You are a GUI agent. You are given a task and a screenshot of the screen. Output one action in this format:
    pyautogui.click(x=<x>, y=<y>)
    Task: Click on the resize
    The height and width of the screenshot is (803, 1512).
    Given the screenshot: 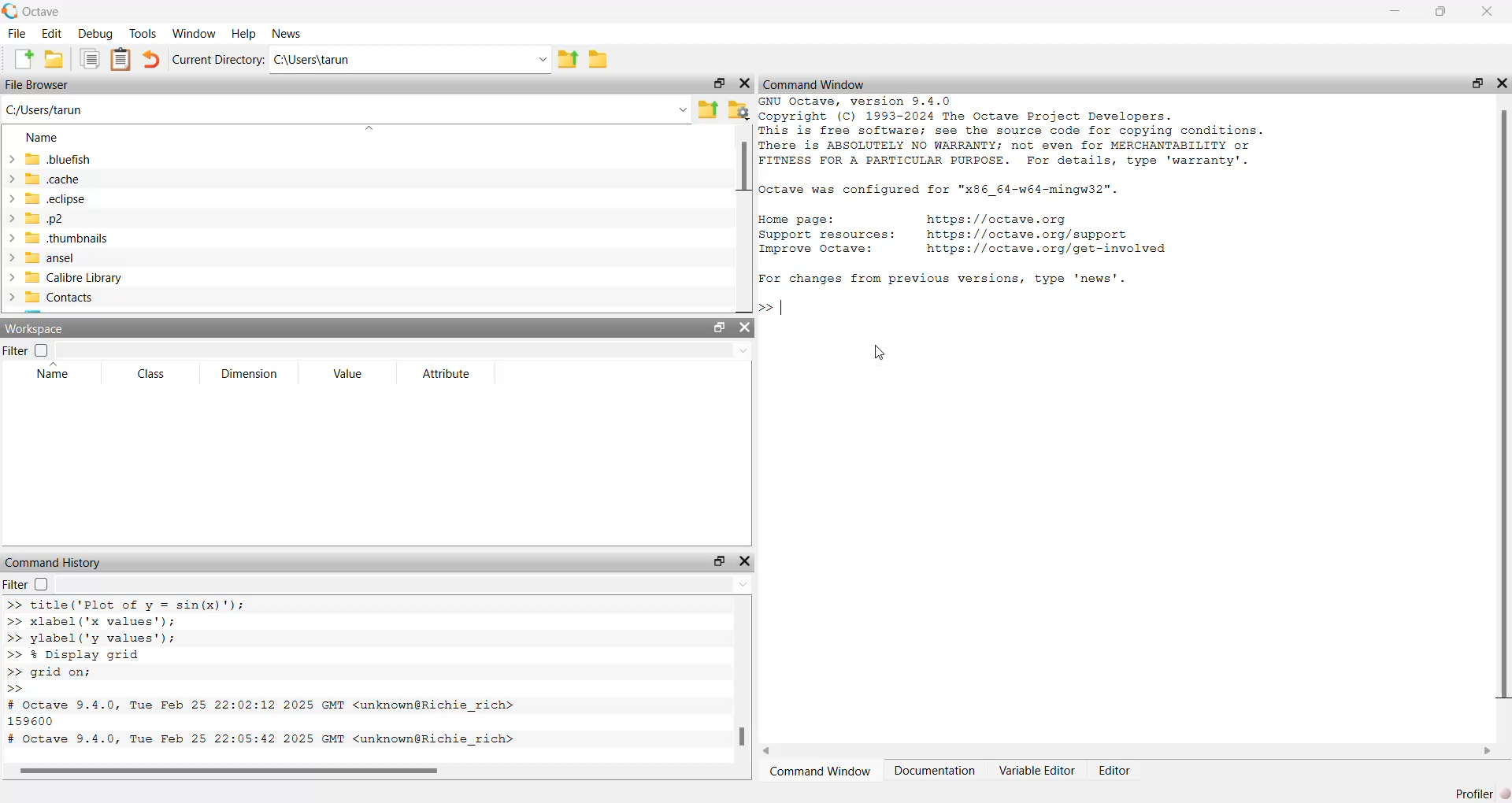 What is the action you would take?
    pyautogui.click(x=721, y=561)
    